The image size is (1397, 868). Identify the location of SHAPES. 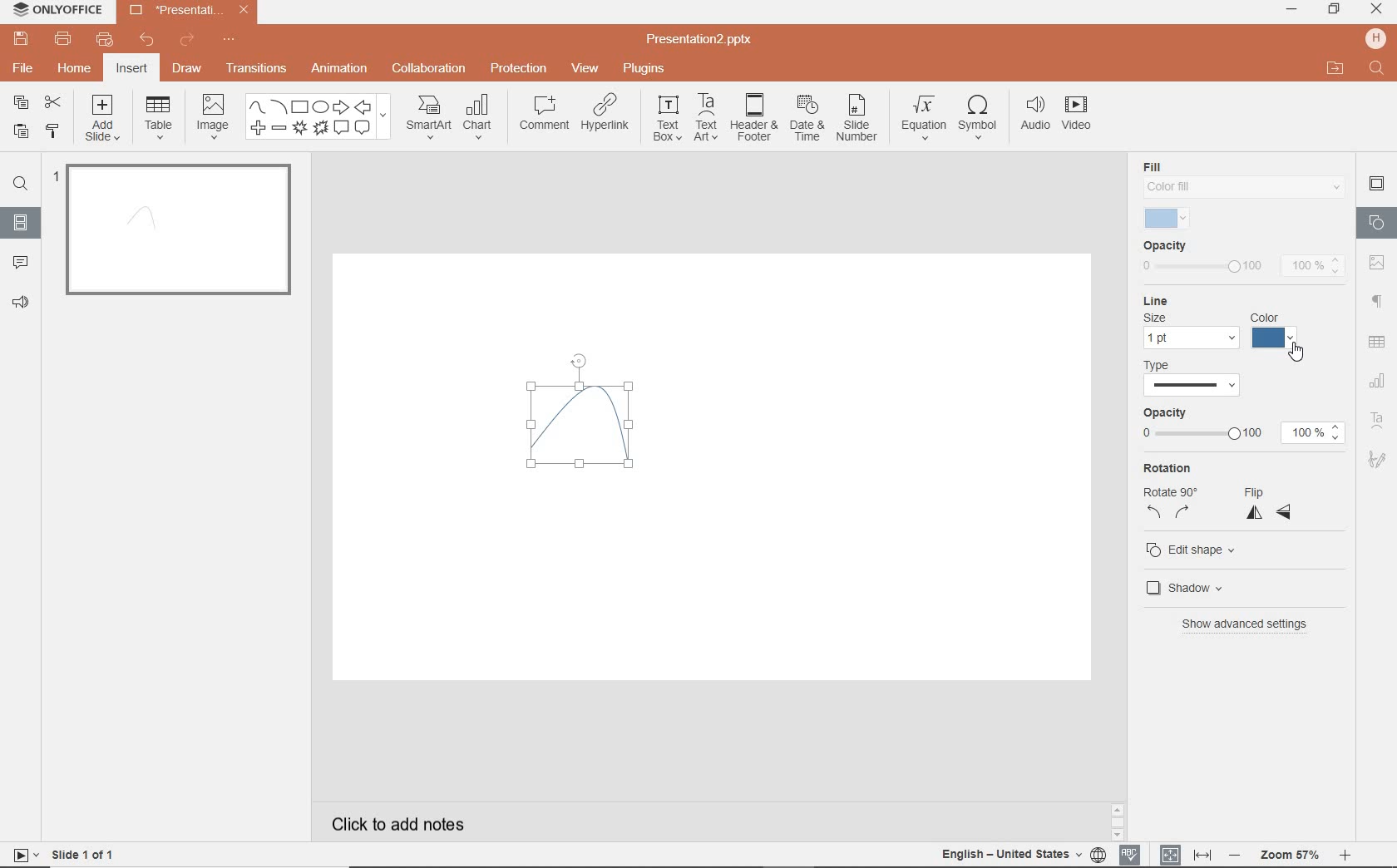
(321, 118).